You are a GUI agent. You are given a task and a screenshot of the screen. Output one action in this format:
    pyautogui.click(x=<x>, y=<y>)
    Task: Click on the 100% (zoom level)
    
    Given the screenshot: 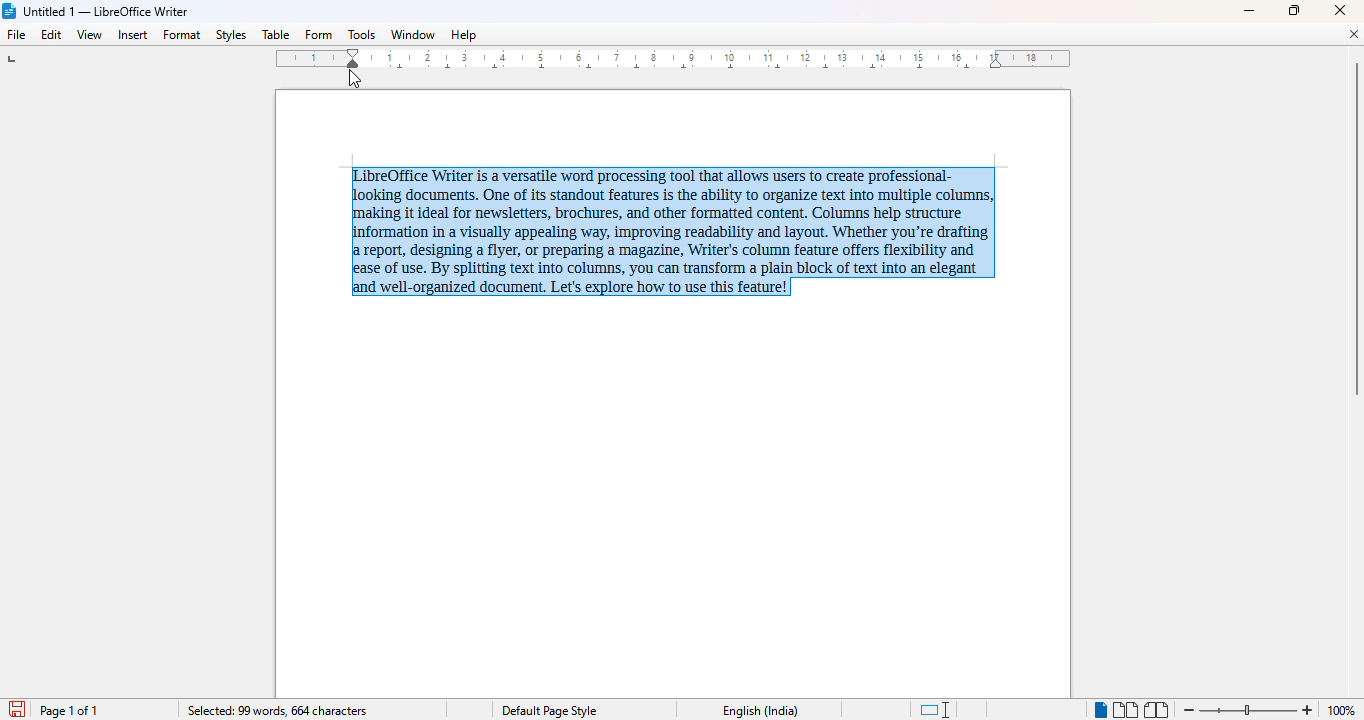 What is the action you would take?
    pyautogui.click(x=1344, y=710)
    